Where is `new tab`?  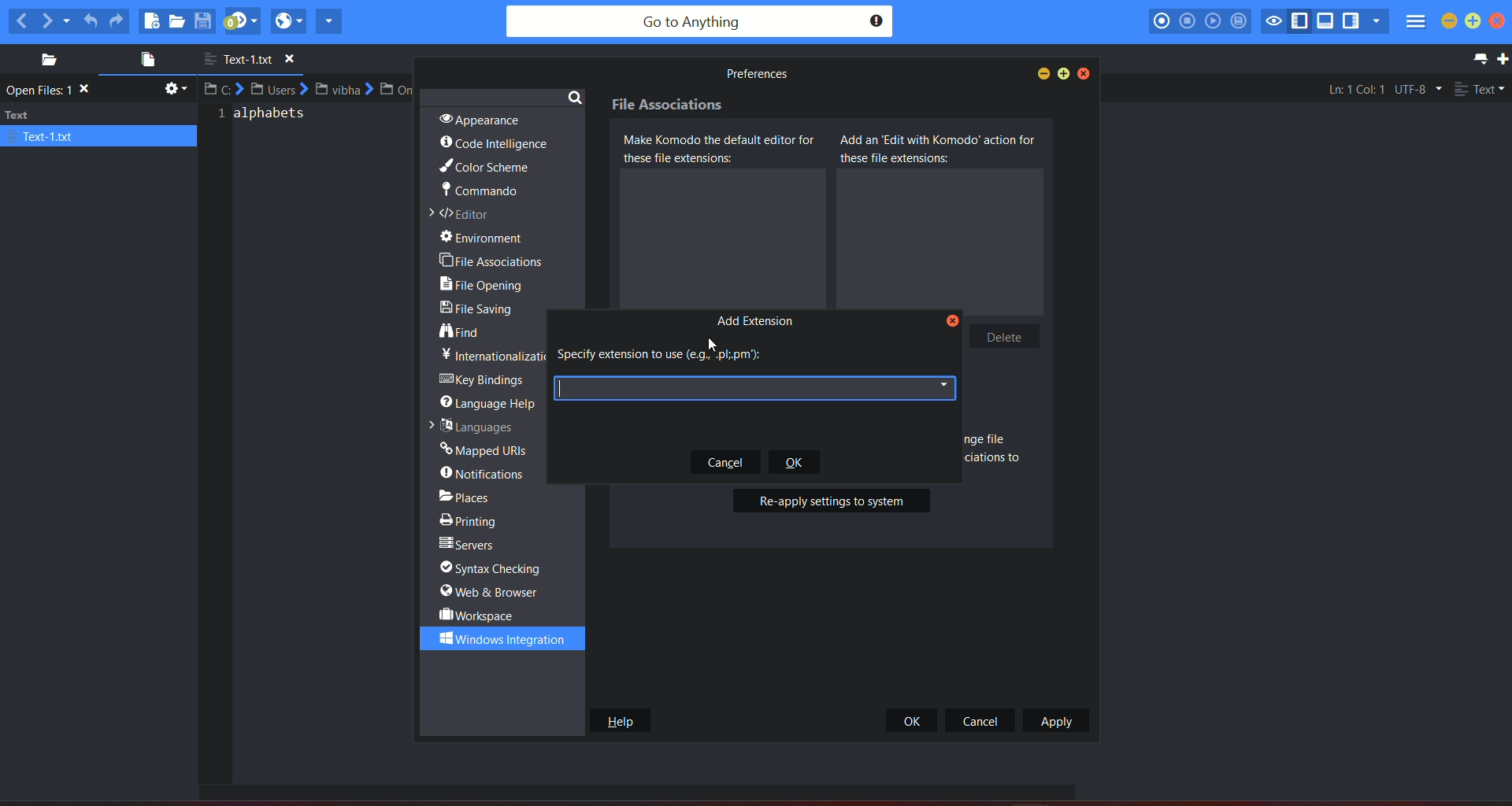 new tab is located at coordinates (1503, 59).